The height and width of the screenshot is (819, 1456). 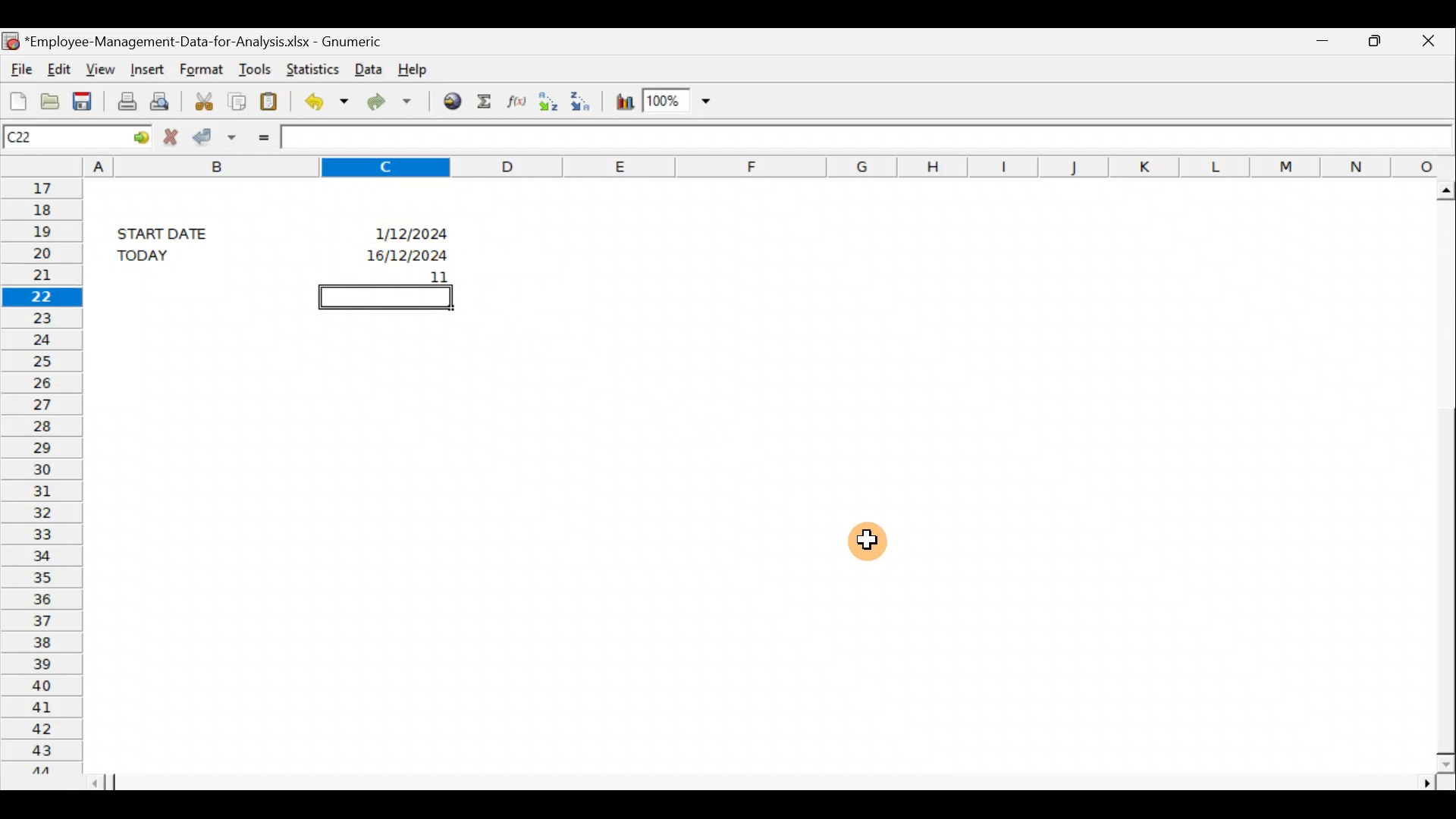 I want to click on Scroll bar, so click(x=1439, y=472).